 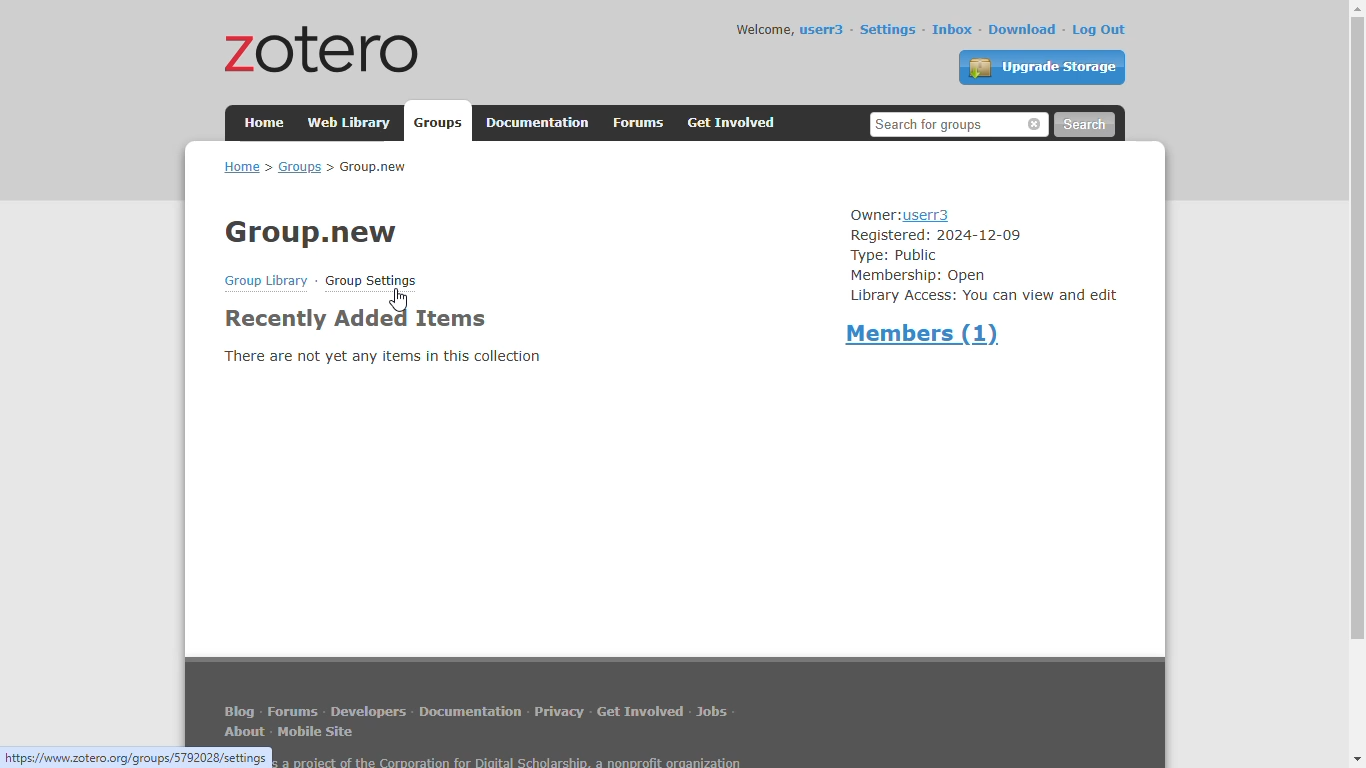 What do you see at coordinates (137, 757) in the screenshot?
I see `link` at bounding box center [137, 757].